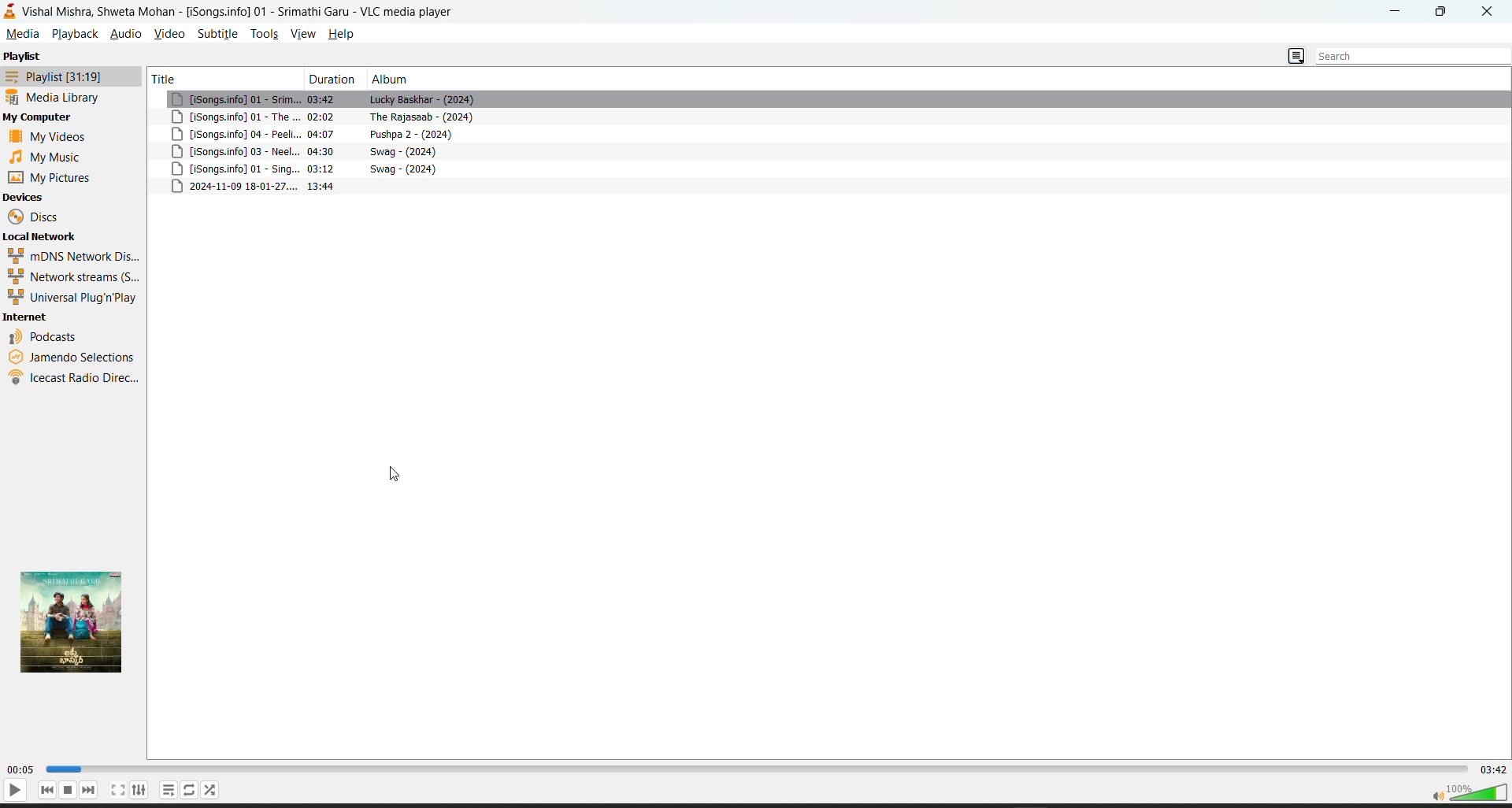  I want to click on swag-2024, so click(411, 172).